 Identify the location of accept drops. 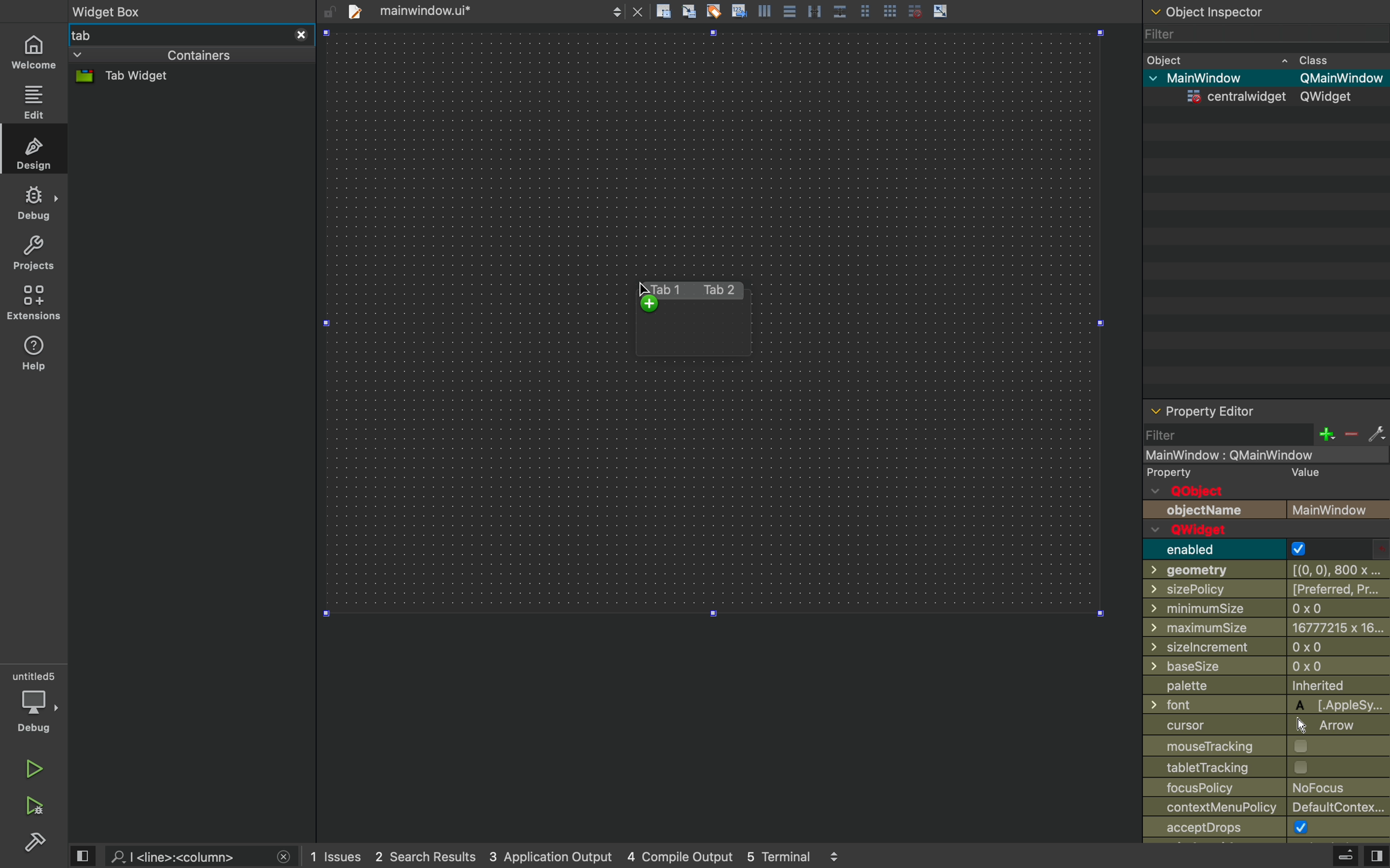
(1267, 830).